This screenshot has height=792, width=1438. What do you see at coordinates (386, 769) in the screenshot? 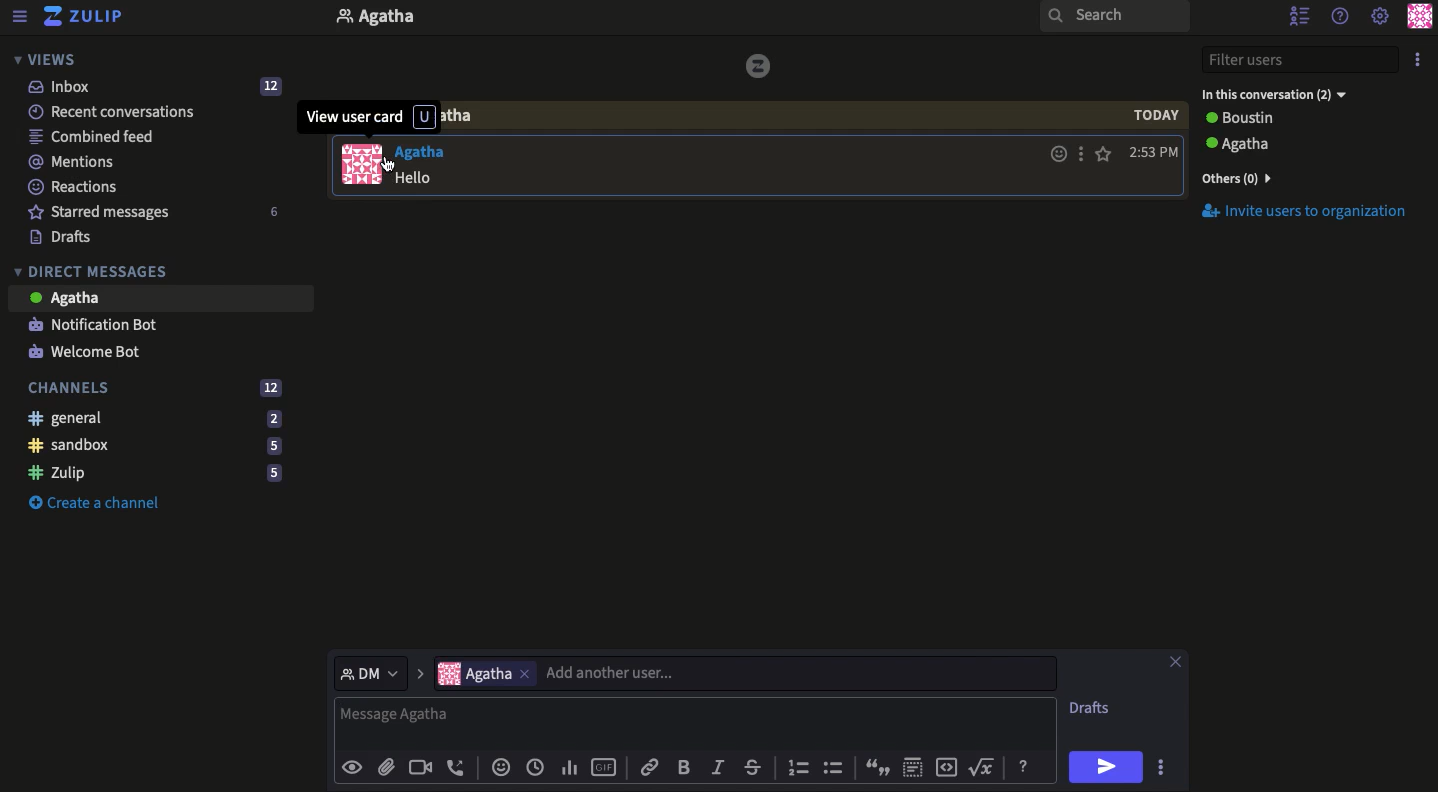
I see `File` at bounding box center [386, 769].